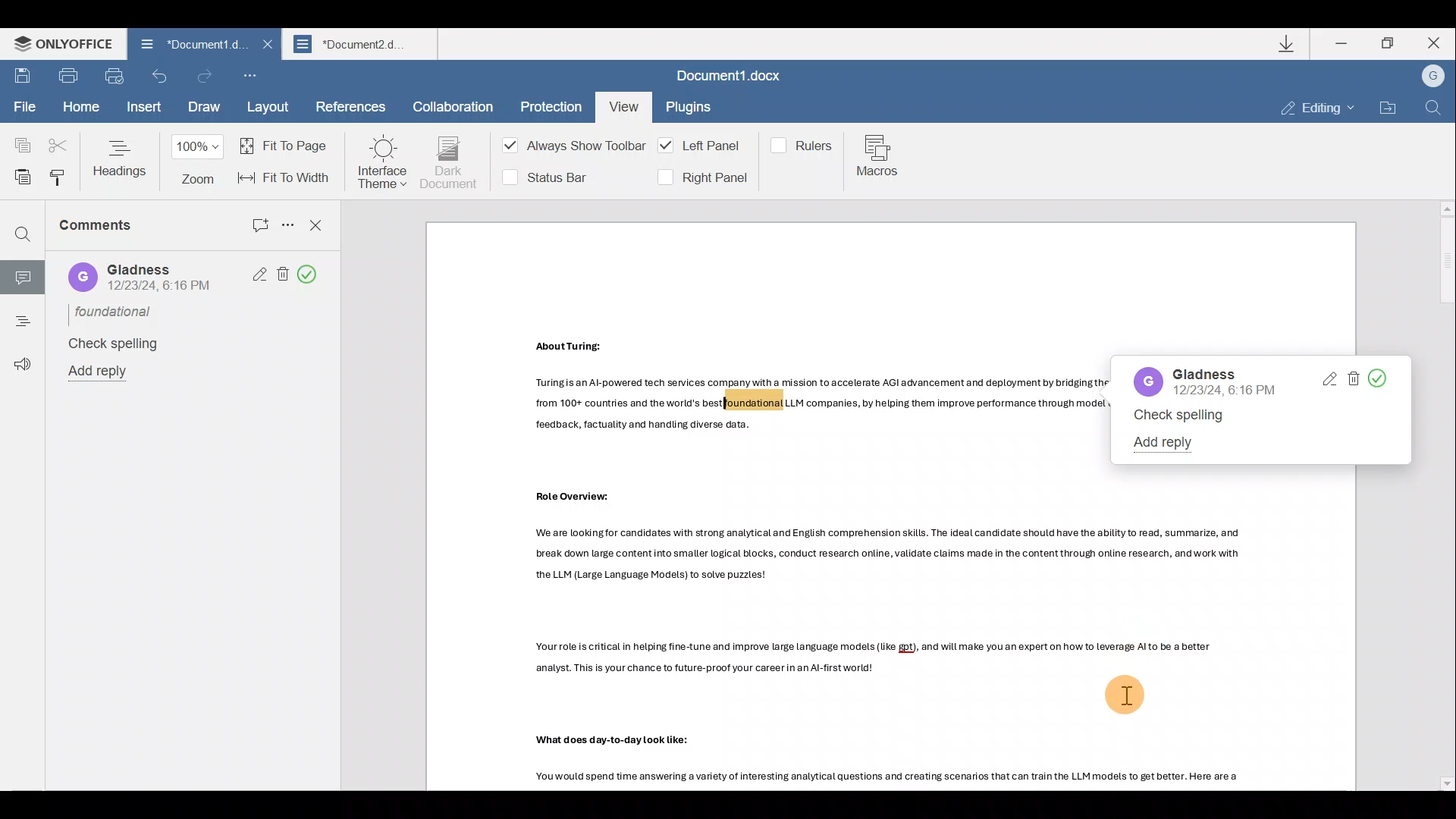 The image size is (1456, 819). What do you see at coordinates (206, 76) in the screenshot?
I see `Redo` at bounding box center [206, 76].